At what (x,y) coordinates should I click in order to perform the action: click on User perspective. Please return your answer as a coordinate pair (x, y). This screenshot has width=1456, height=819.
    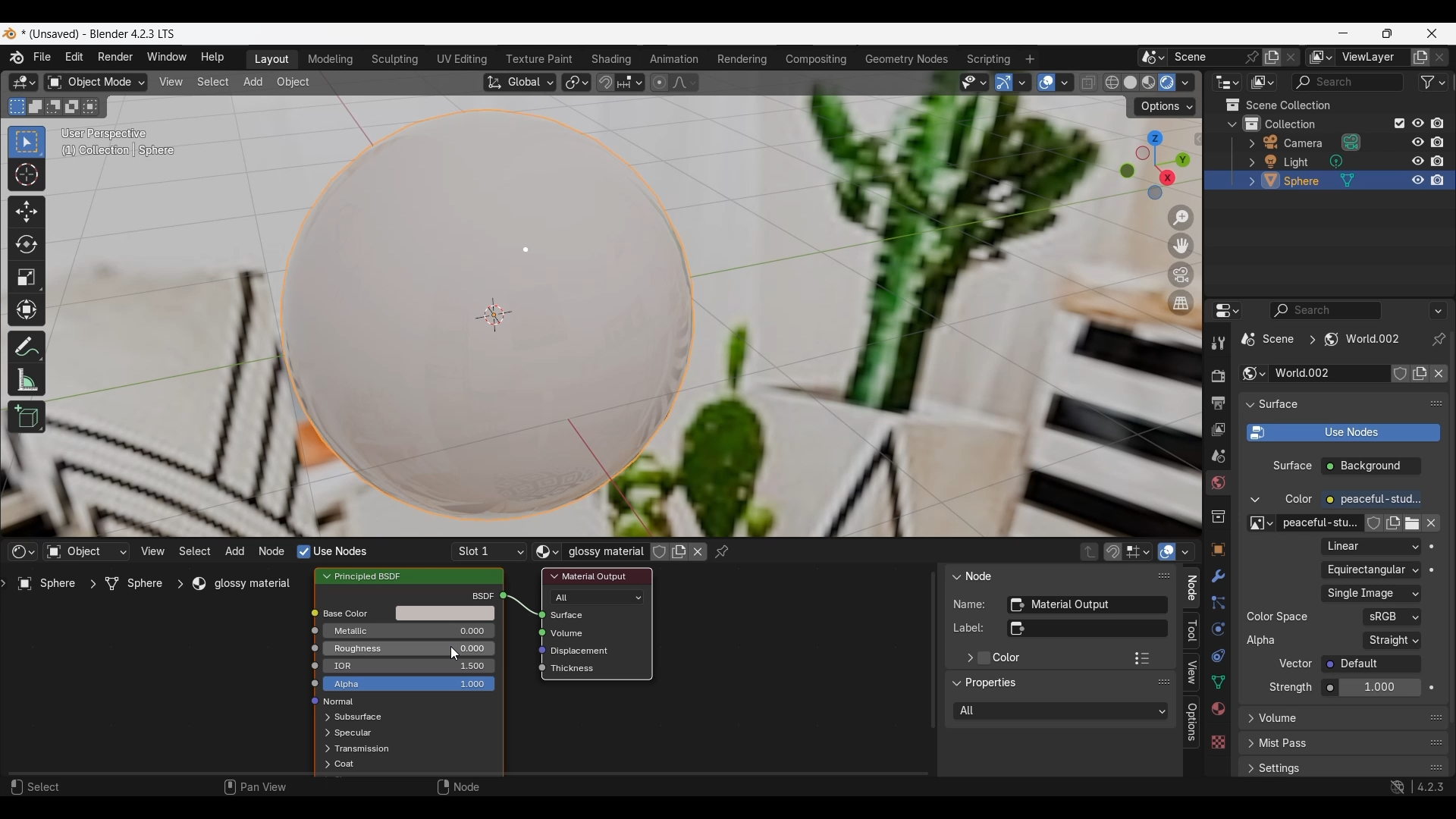
    Looking at the image, I should click on (106, 133).